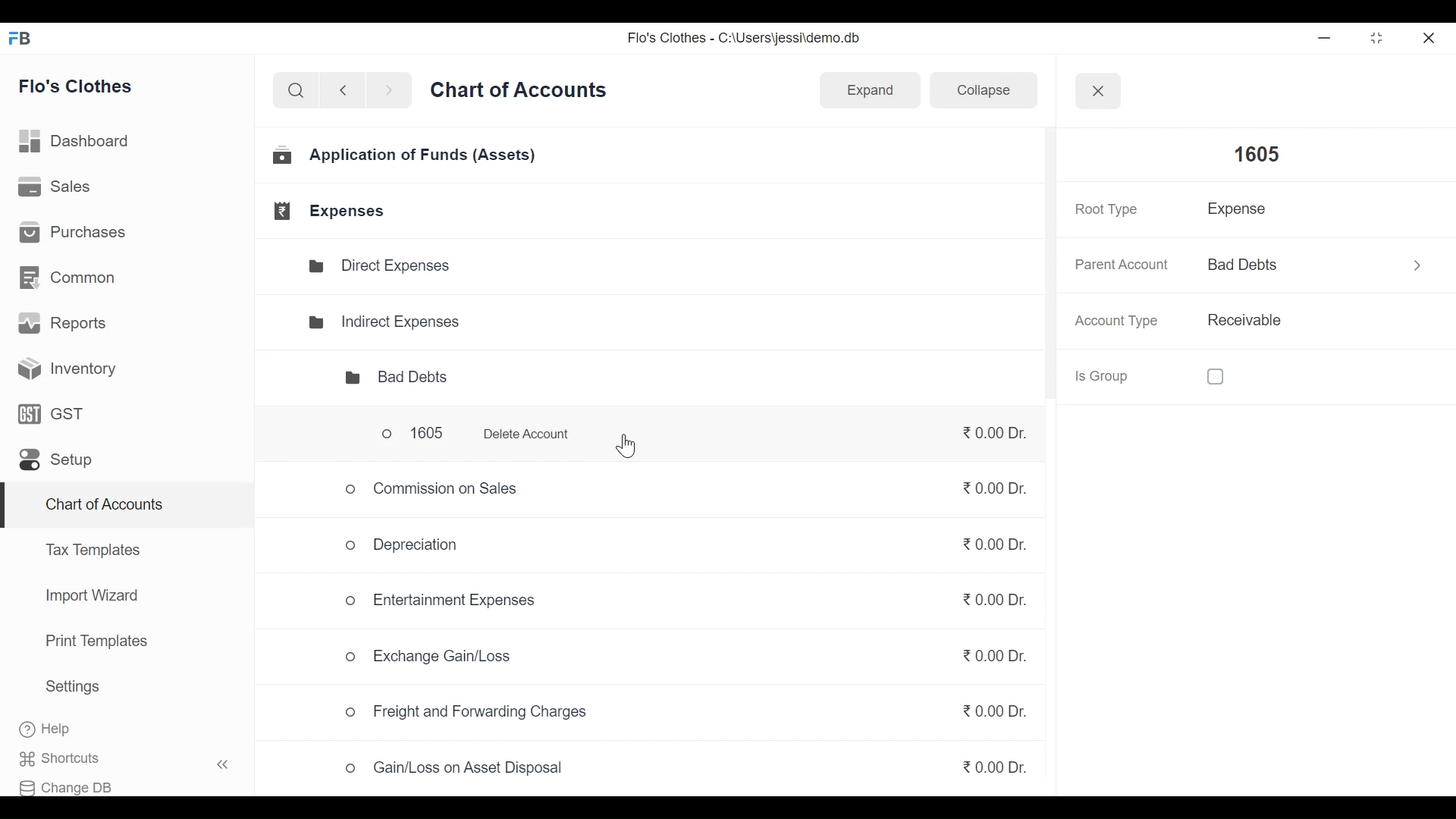 The image size is (1456, 819). Describe the element at coordinates (24, 42) in the screenshot. I see `FB` at that location.